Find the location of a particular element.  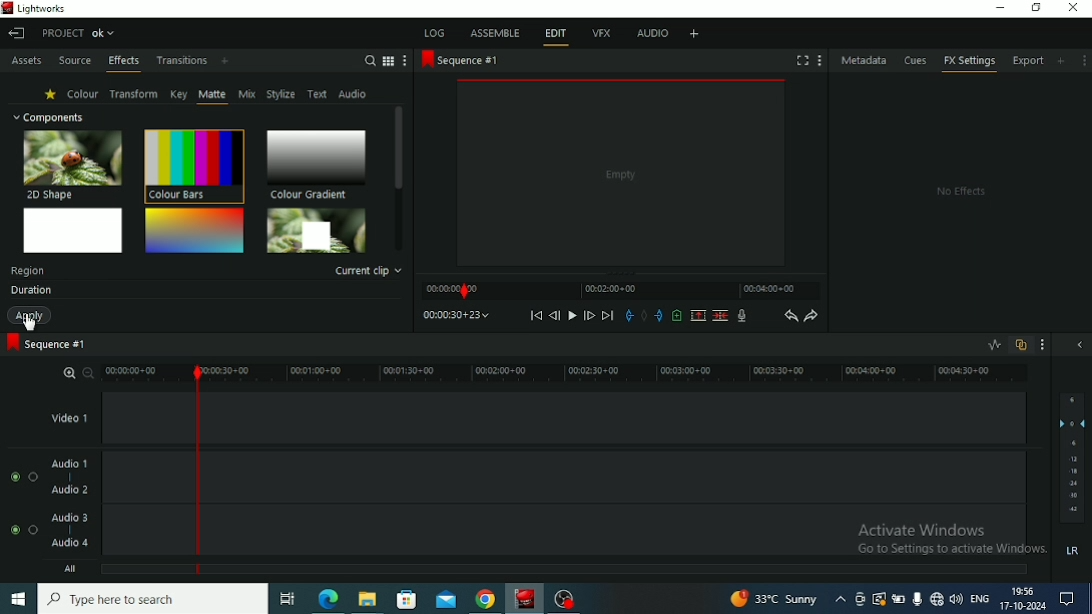

Search is located at coordinates (369, 60).